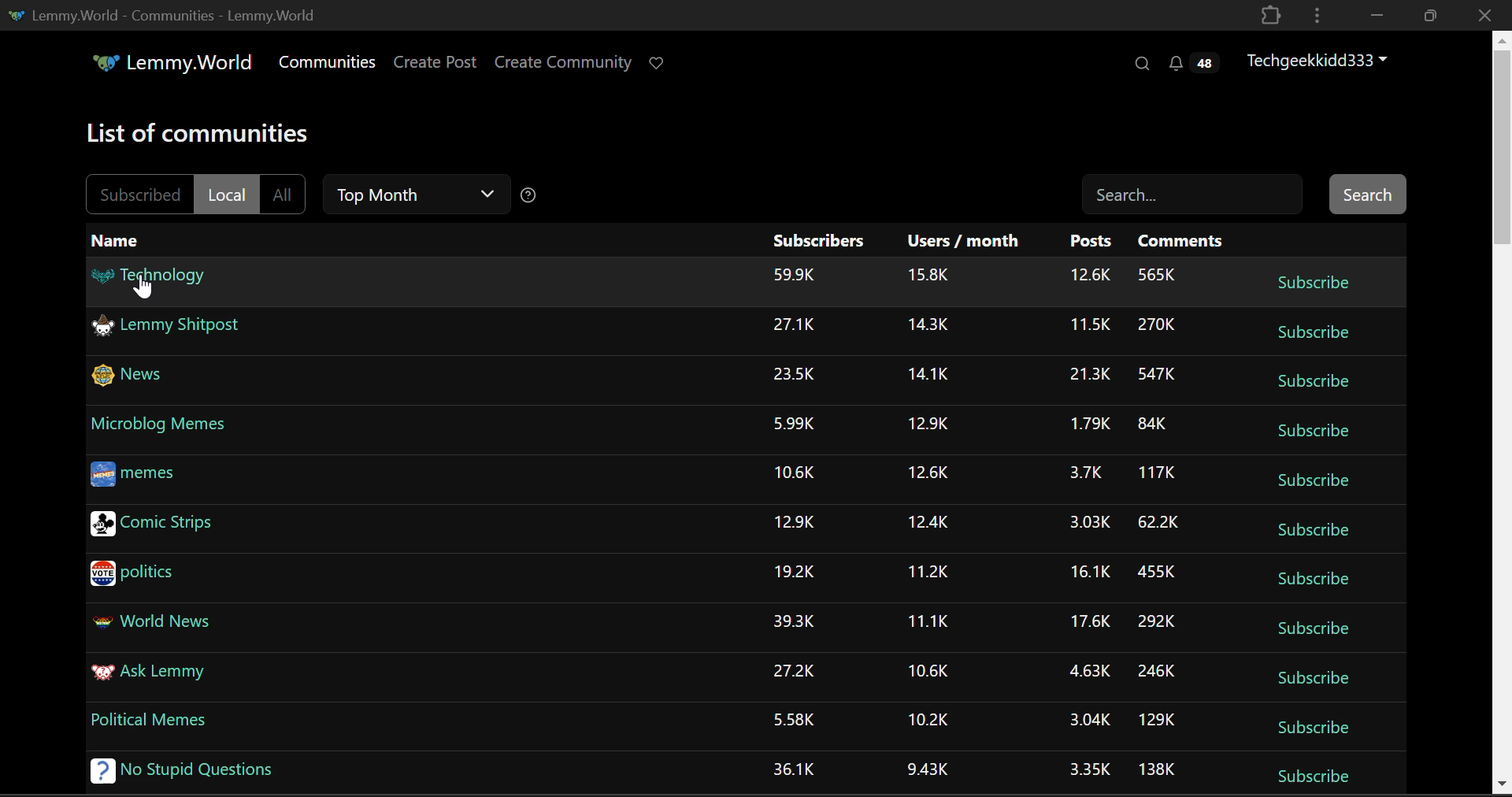  Describe the element at coordinates (926, 425) in the screenshot. I see `Amount` at that location.